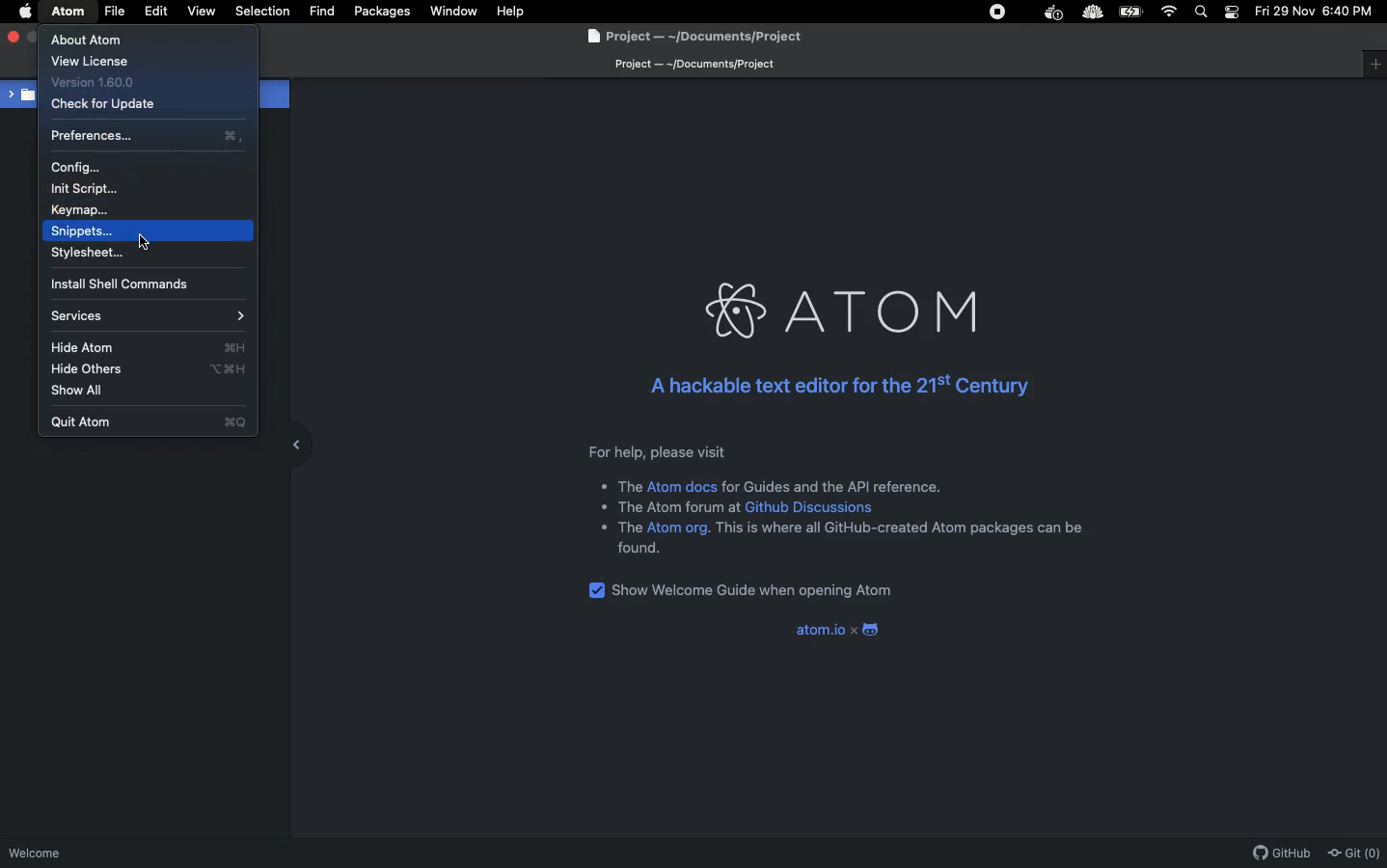  Describe the element at coordinates (103, 107) in the screenshot. I see `Check for update` at that location.